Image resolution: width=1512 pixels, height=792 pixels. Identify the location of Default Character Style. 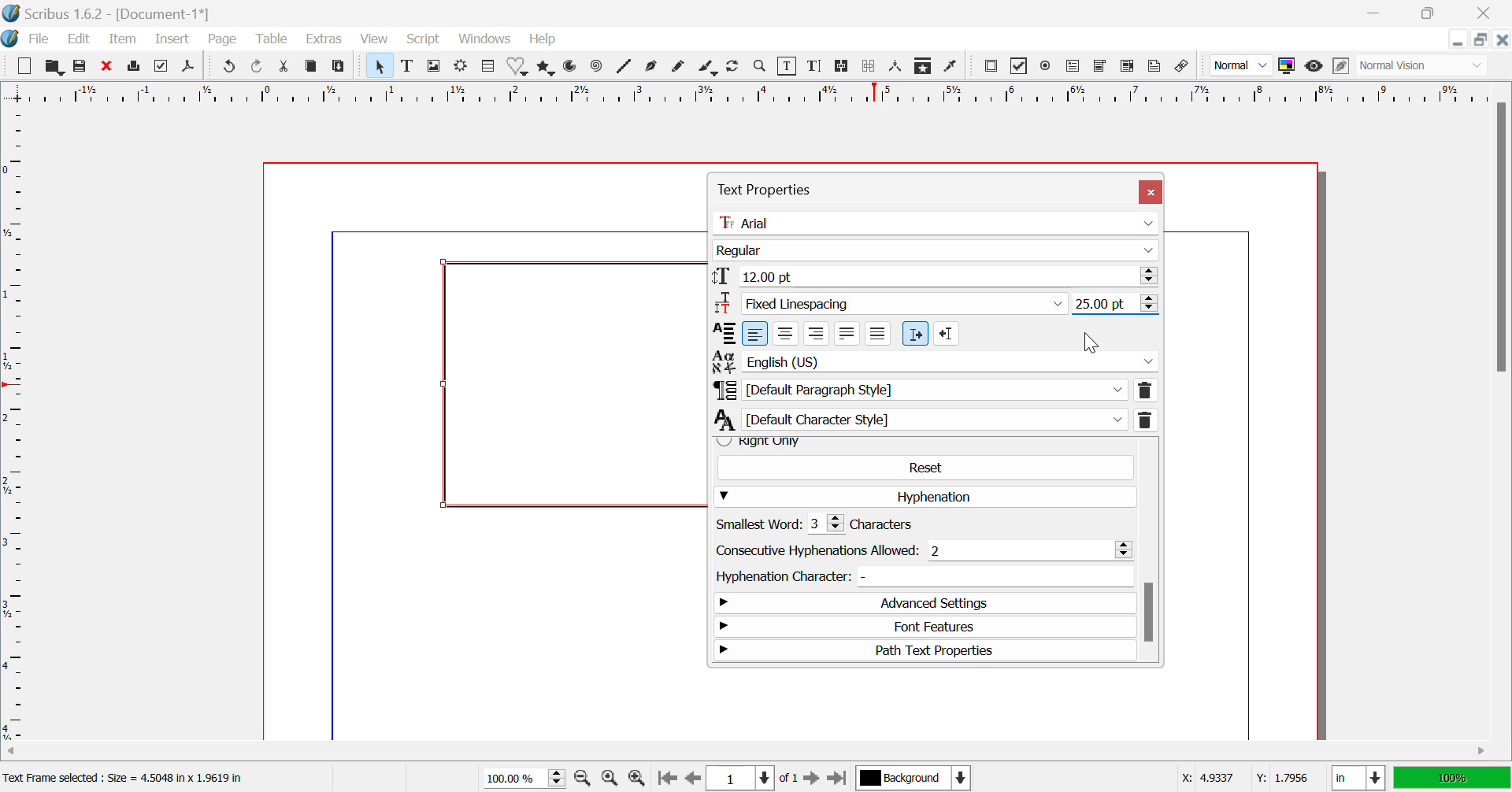
(936, 419).